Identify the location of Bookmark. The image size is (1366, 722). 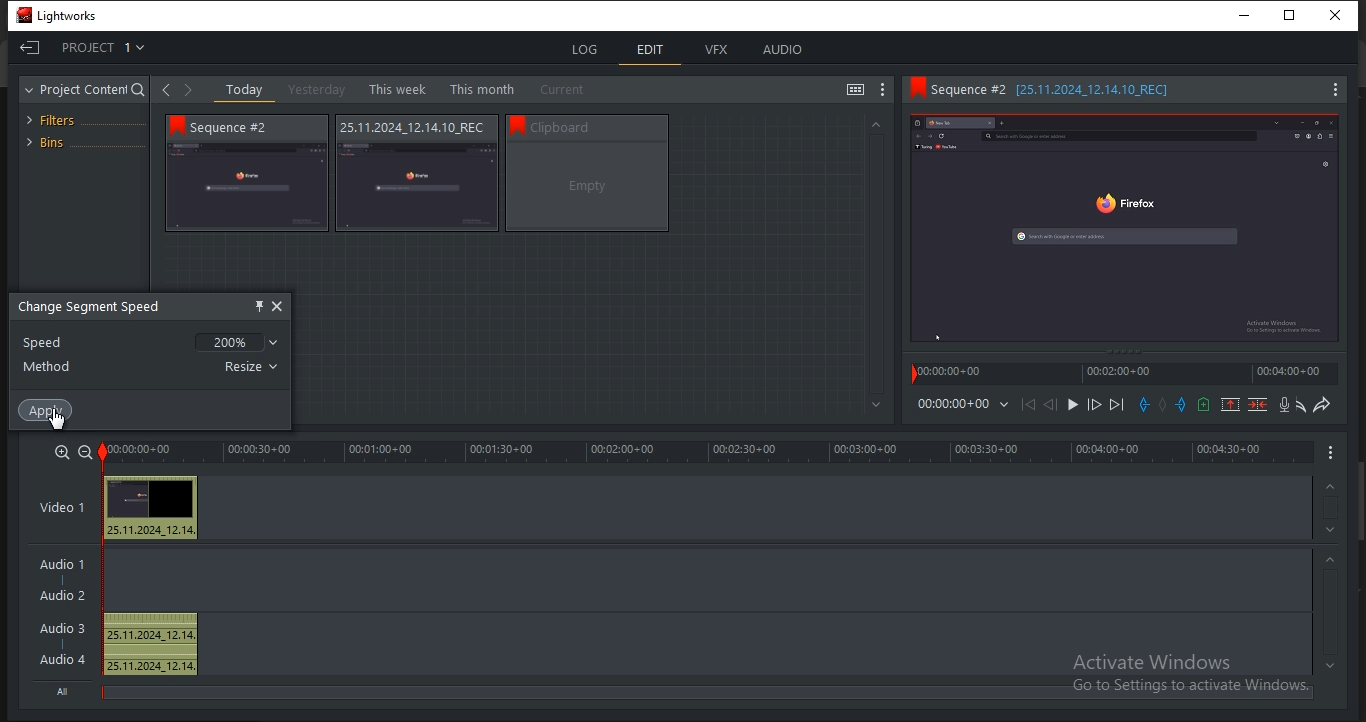
(916, 90).